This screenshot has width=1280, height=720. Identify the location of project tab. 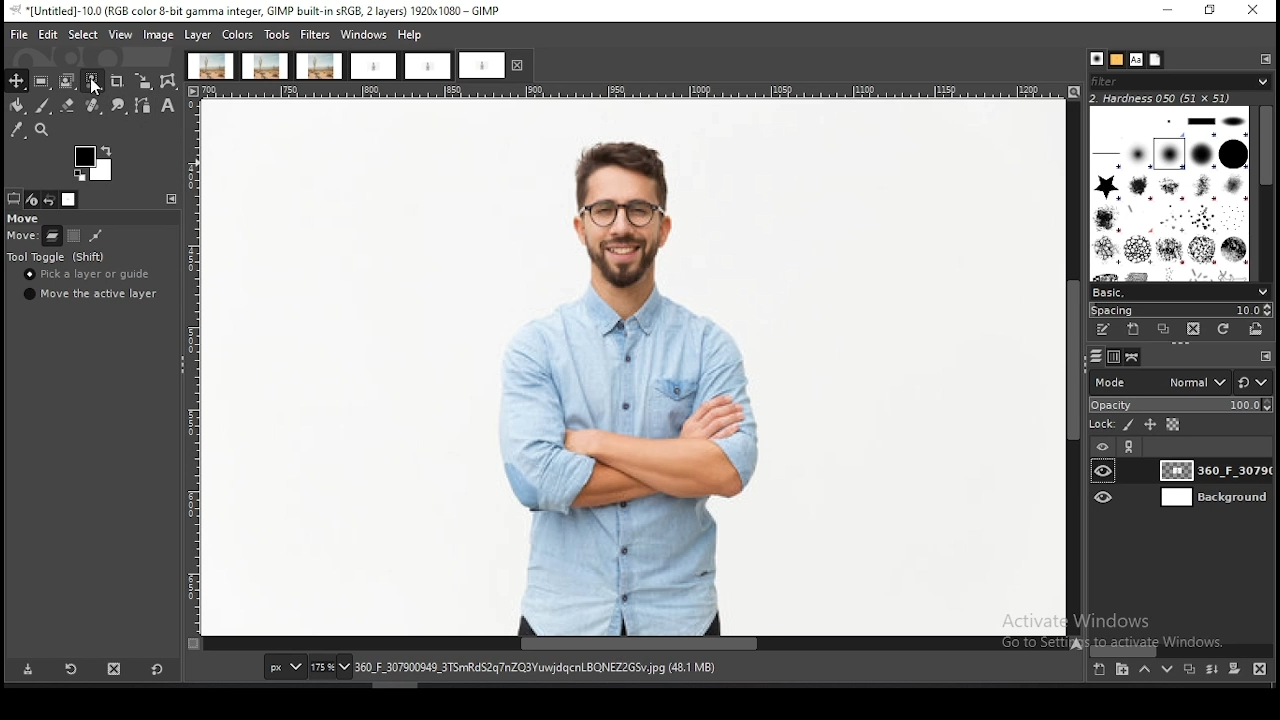
(266, 66).